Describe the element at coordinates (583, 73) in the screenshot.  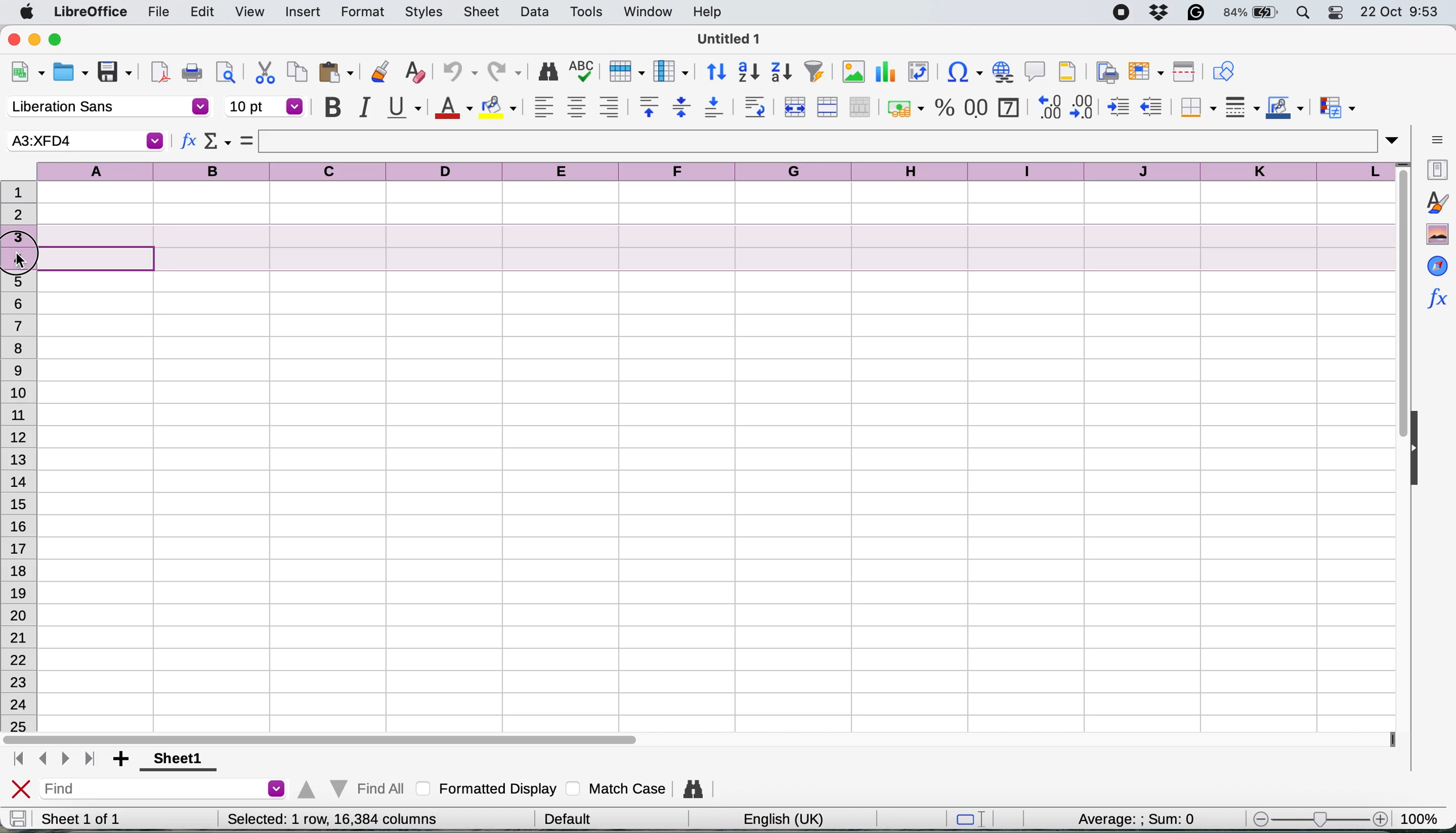
I see `spelling` at that location.